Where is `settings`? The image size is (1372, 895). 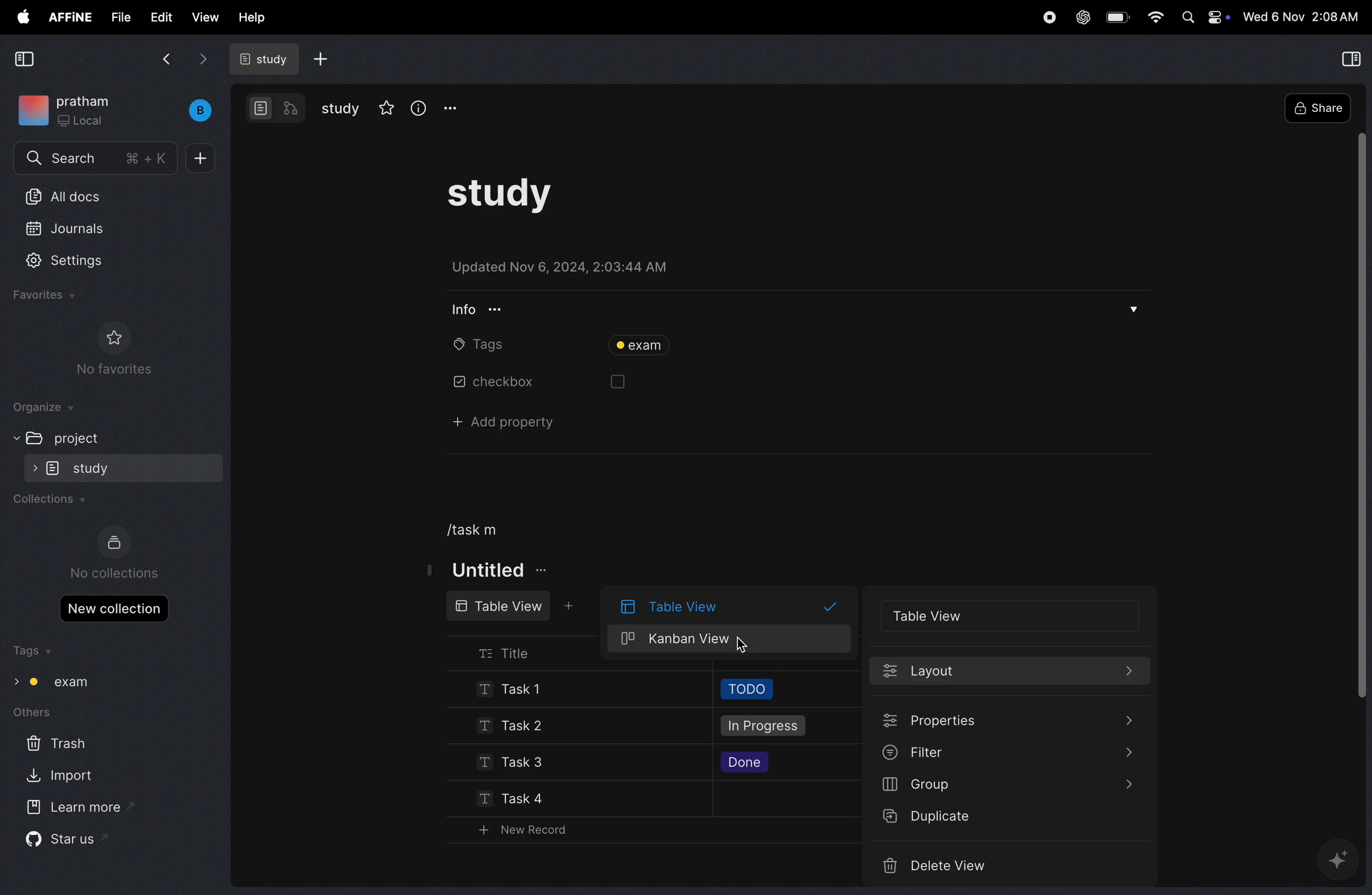
settings is located at coordinates (75, 263).